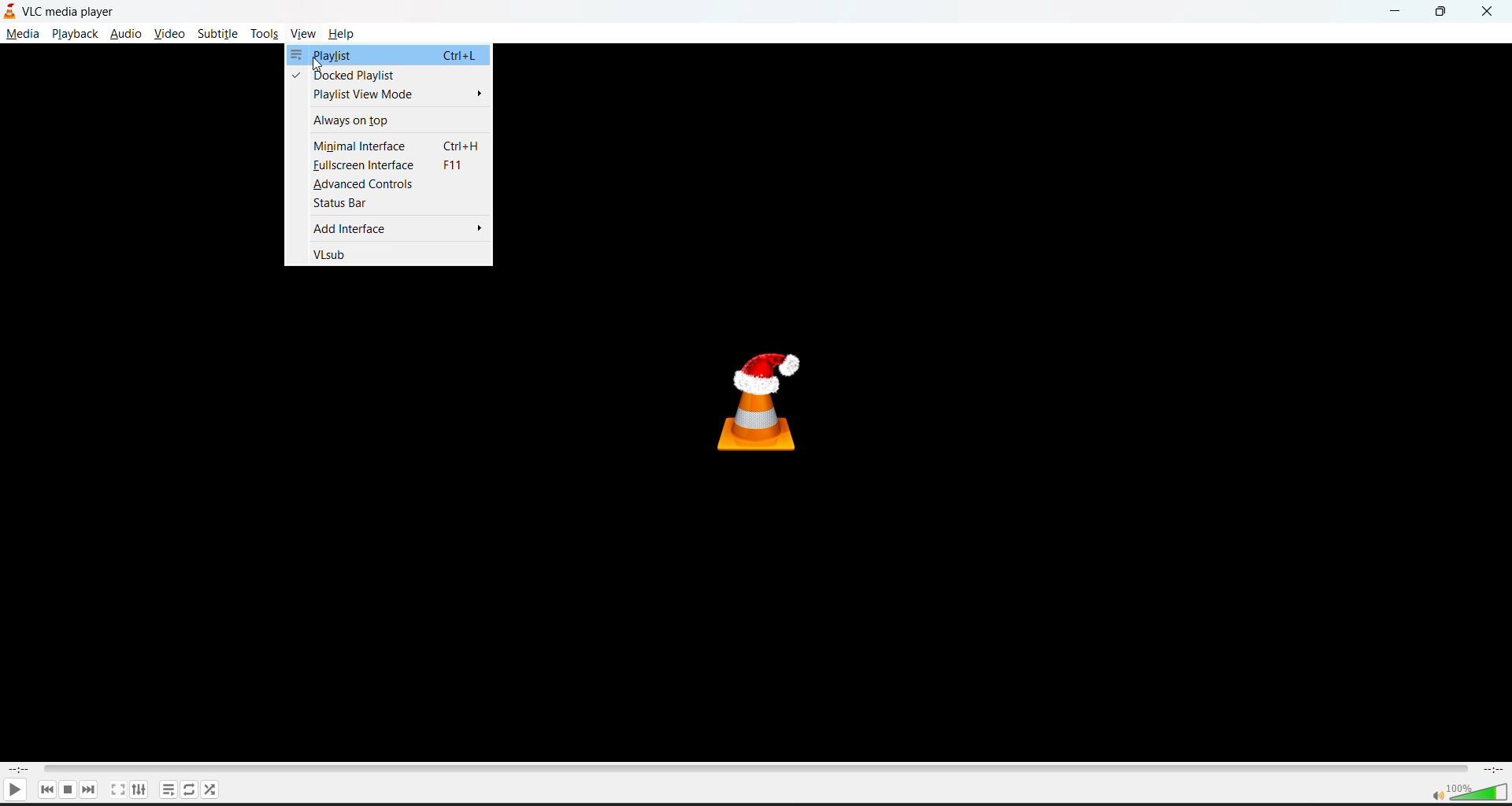 This screenshot has width=1512, height=806. What do you see at coordinates (348, 34) in the screenshot?
I see `help` at bounding box center [348, 34].